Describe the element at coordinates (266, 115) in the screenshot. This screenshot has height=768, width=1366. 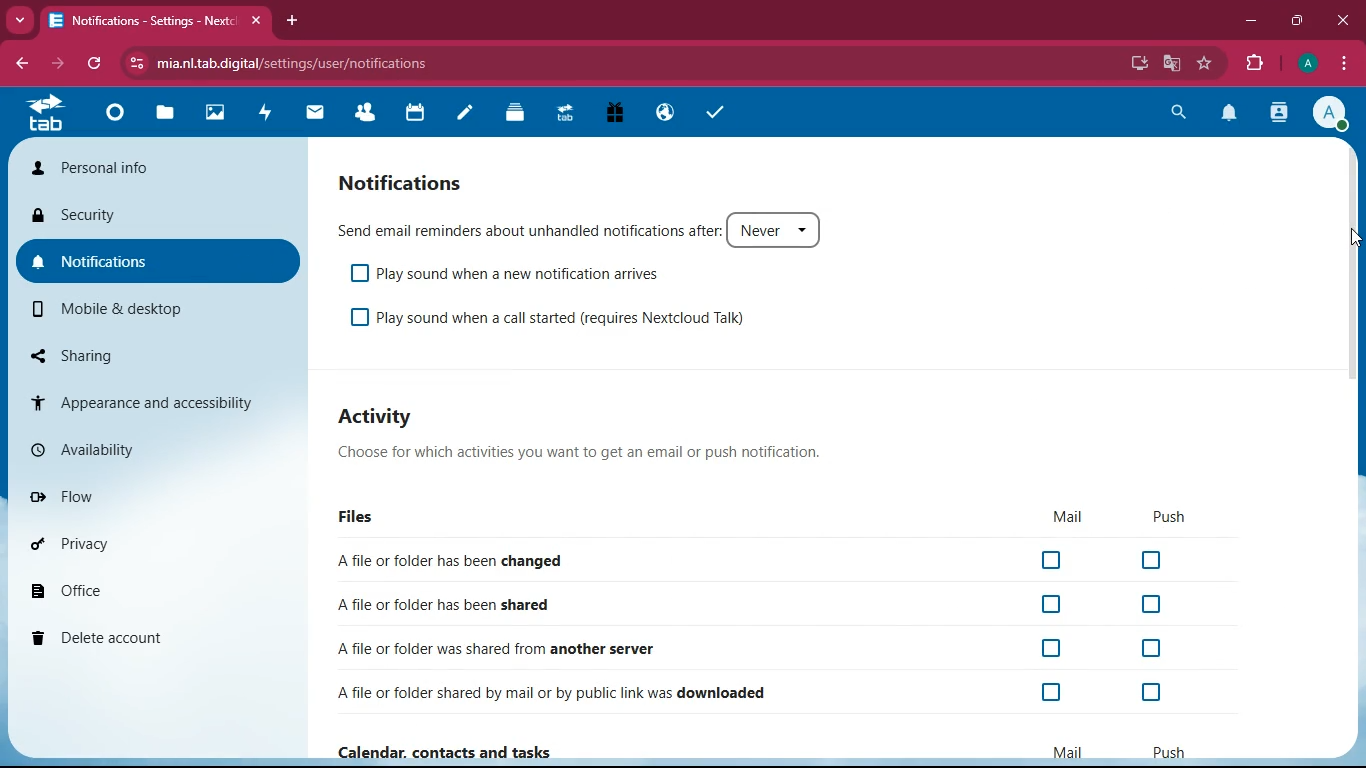
I see `activity` at that location.